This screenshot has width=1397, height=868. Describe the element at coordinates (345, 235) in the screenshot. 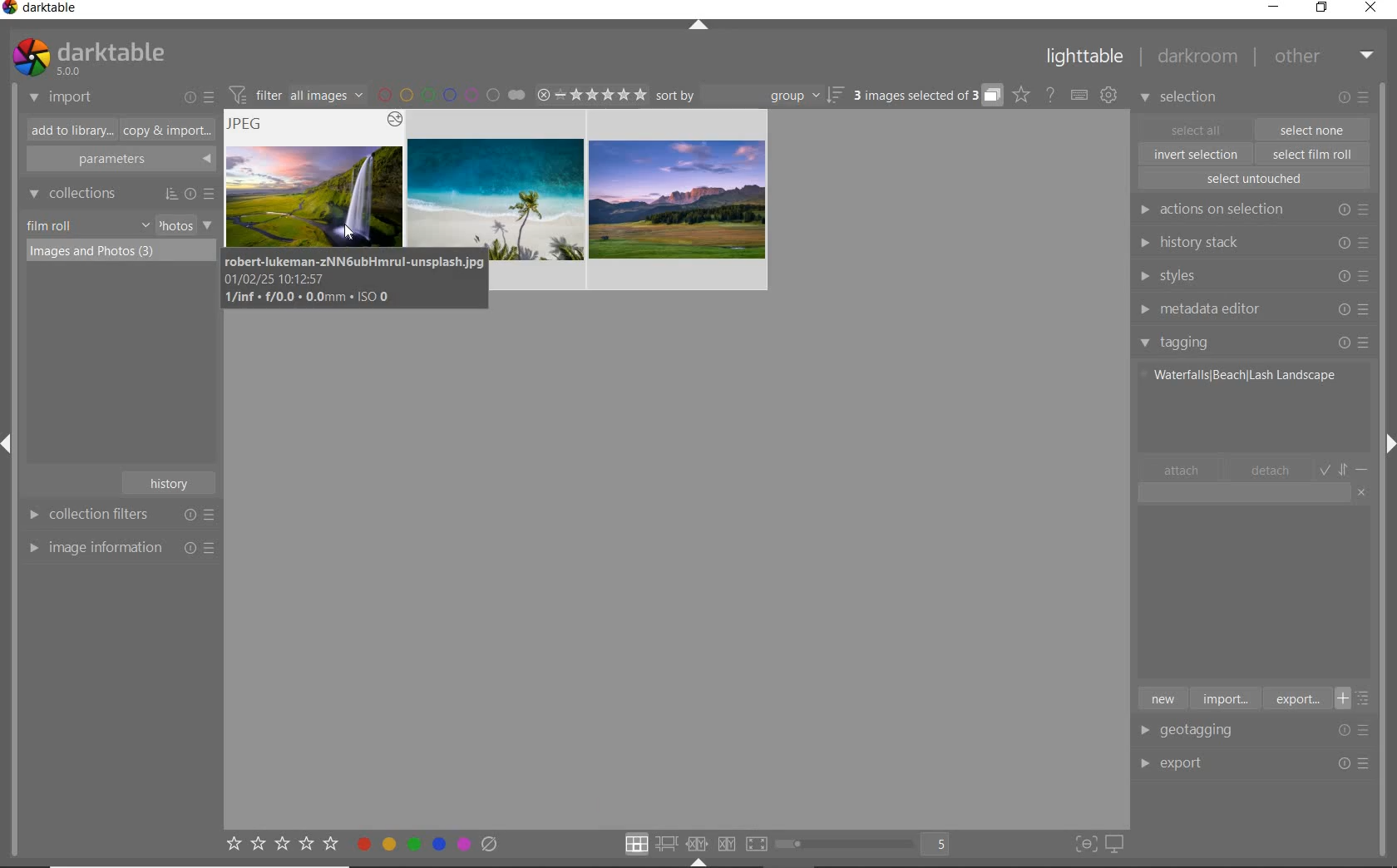

I see `cursor` at that location.